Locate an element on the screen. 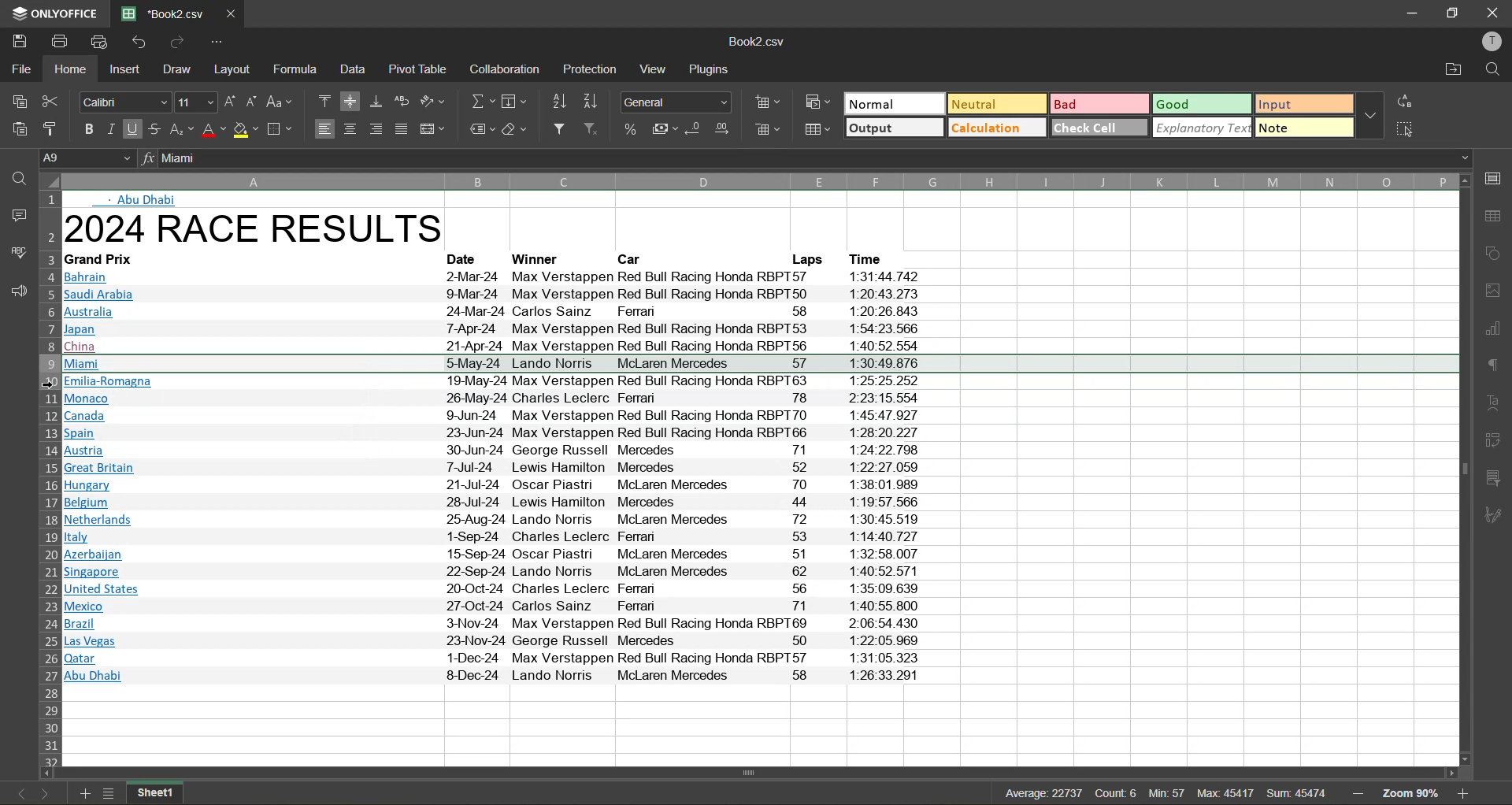 The image size is (1512, 805). appname: onlyoffice is located at coordinates (51, 13).